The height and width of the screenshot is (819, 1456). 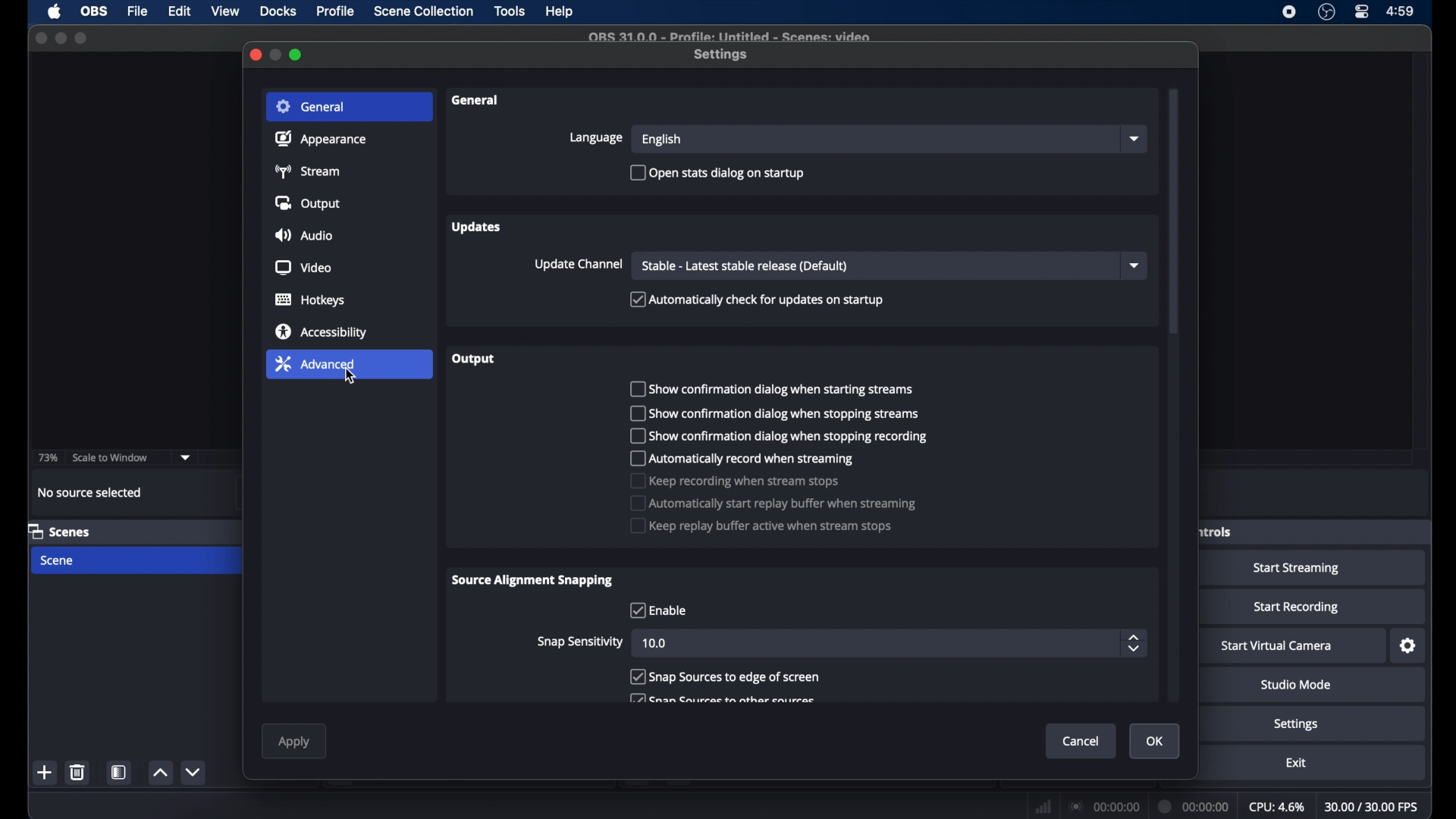 I want to click on start recording, so click(x=1295, y=607).